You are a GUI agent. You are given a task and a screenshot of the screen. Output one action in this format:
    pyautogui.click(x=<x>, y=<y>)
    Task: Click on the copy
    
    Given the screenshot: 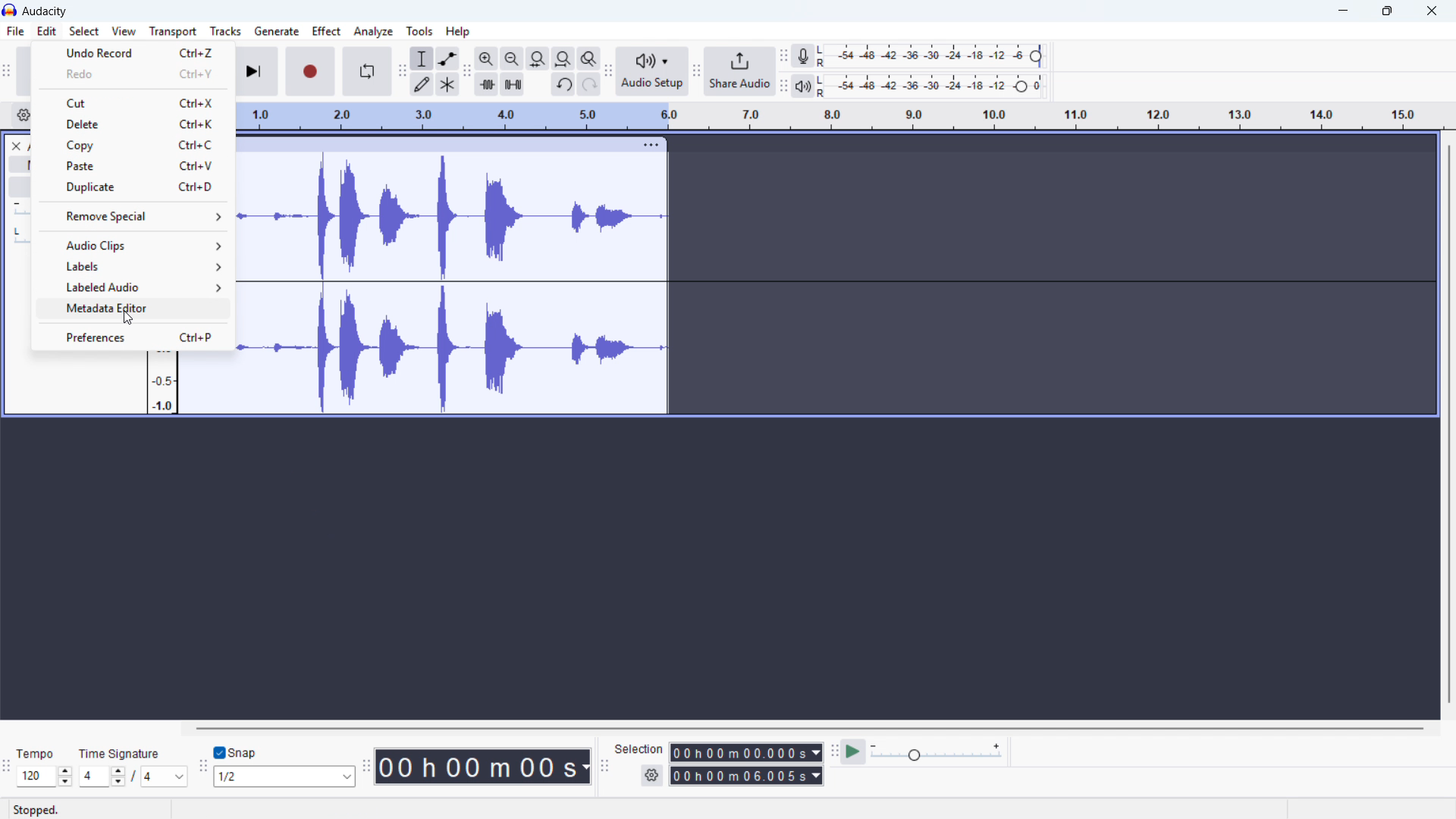 What is the action you would take?
    pyautogui.click(x=131, y=144)
    